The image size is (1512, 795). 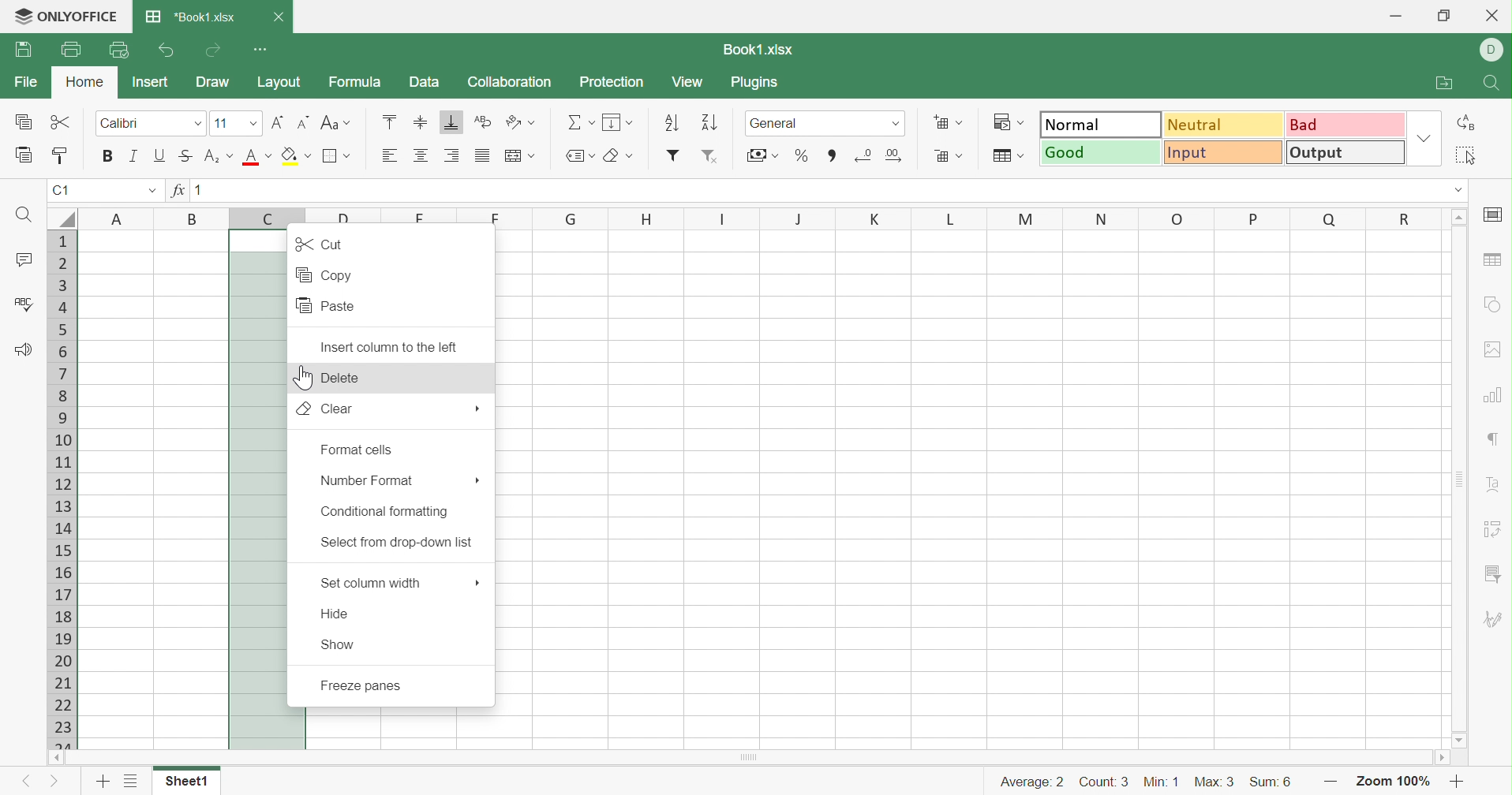 What do you see at coordinates (594, 155) in the screenshot?
I see `Drop Down` at bounding box center [594, 155].